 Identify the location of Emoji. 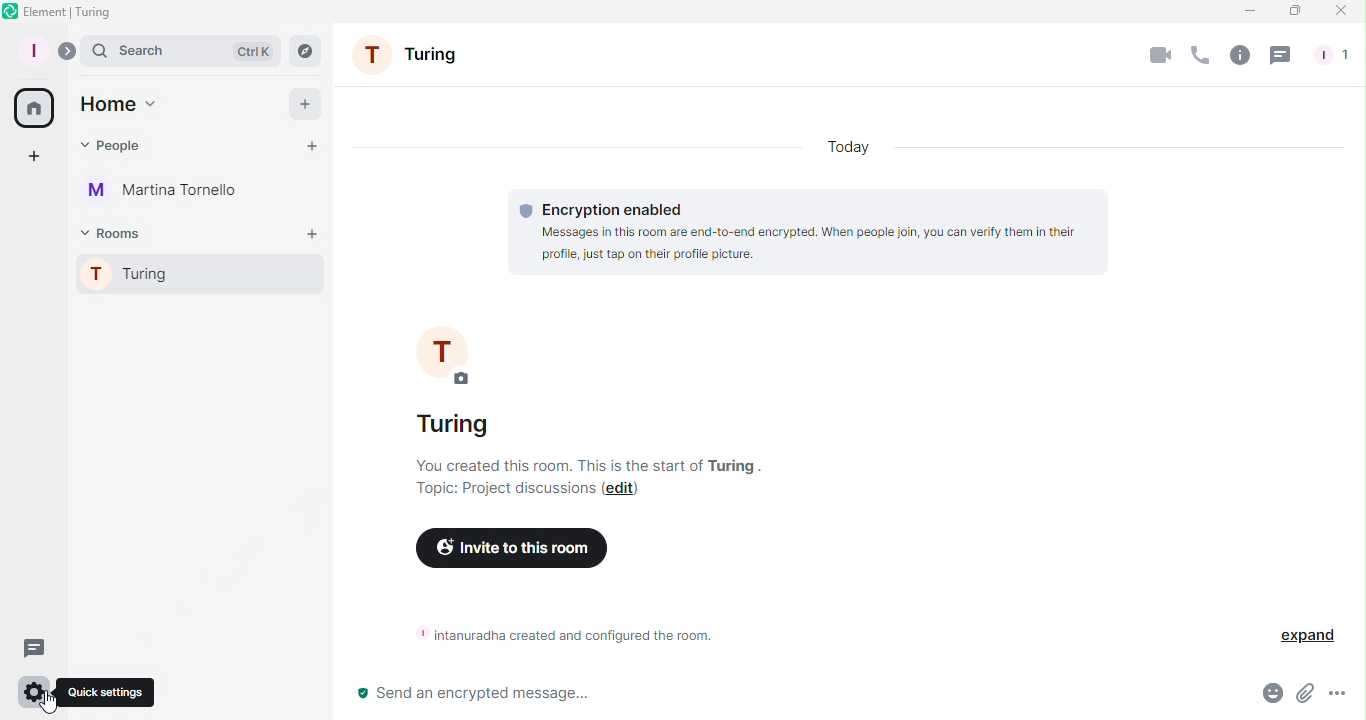
(1265, 694).